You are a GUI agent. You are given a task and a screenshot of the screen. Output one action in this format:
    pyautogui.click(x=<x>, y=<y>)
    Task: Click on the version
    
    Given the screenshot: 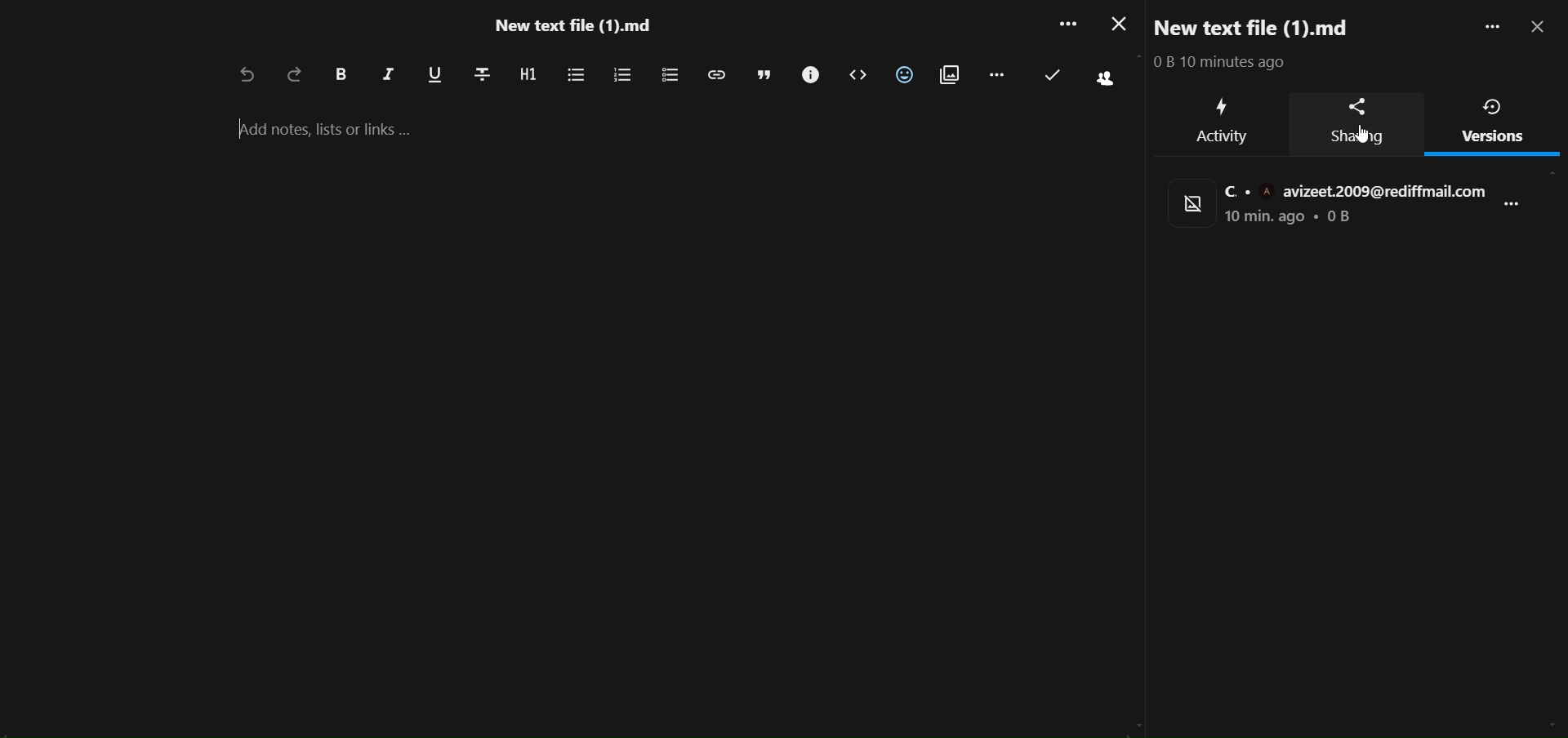 What is the action you would take?
    pyautogui.click(x=1494, y=108)
    